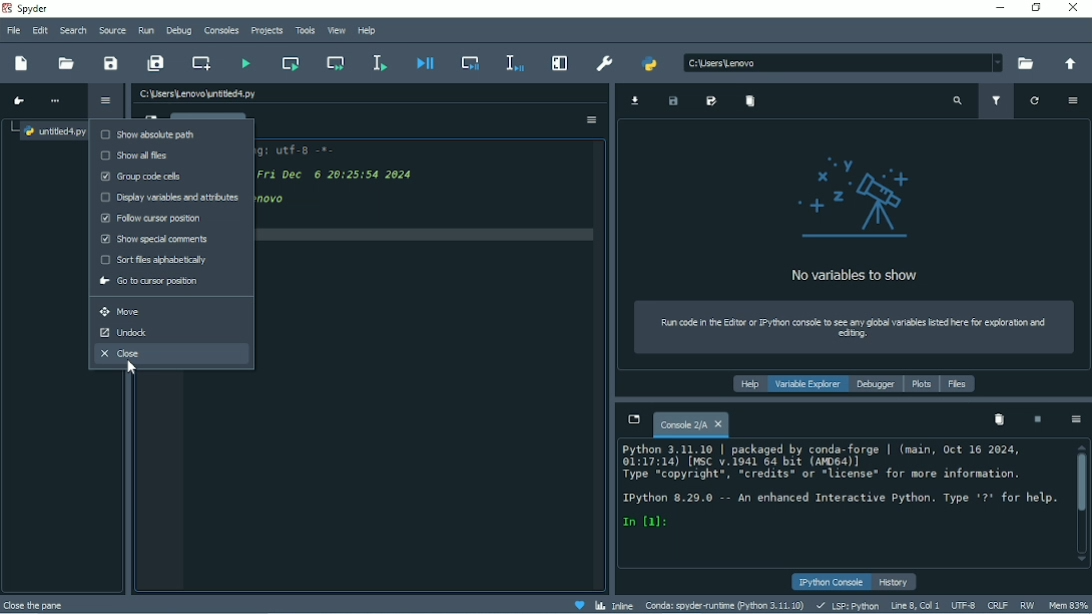 This screenshot has height=614, width=1092. I want to click on Vertical scrollbar, so click(1080, 483).